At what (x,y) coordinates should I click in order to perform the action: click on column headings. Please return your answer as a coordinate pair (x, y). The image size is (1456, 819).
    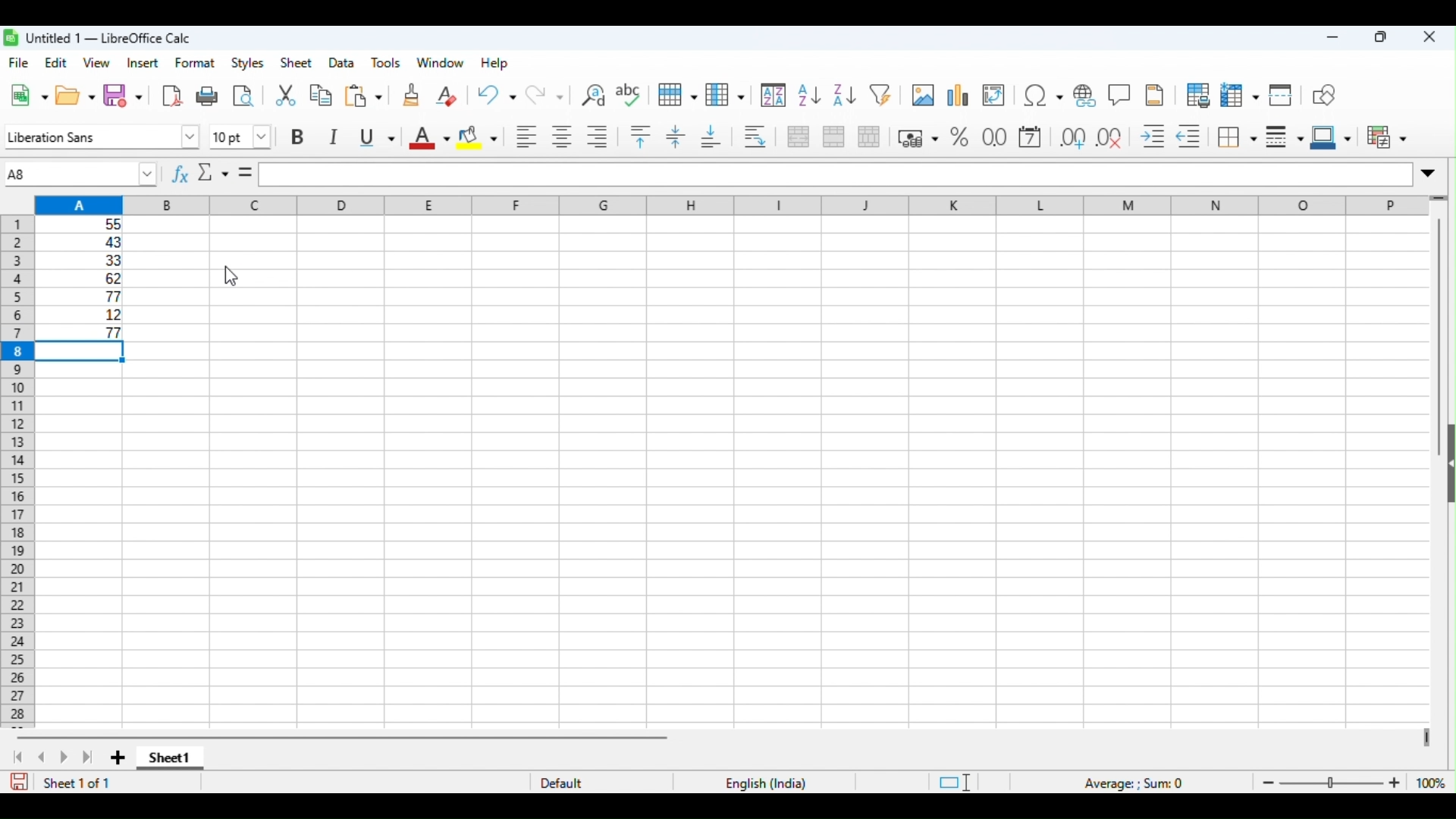
    Looking at the image, I should click on (731, 205).